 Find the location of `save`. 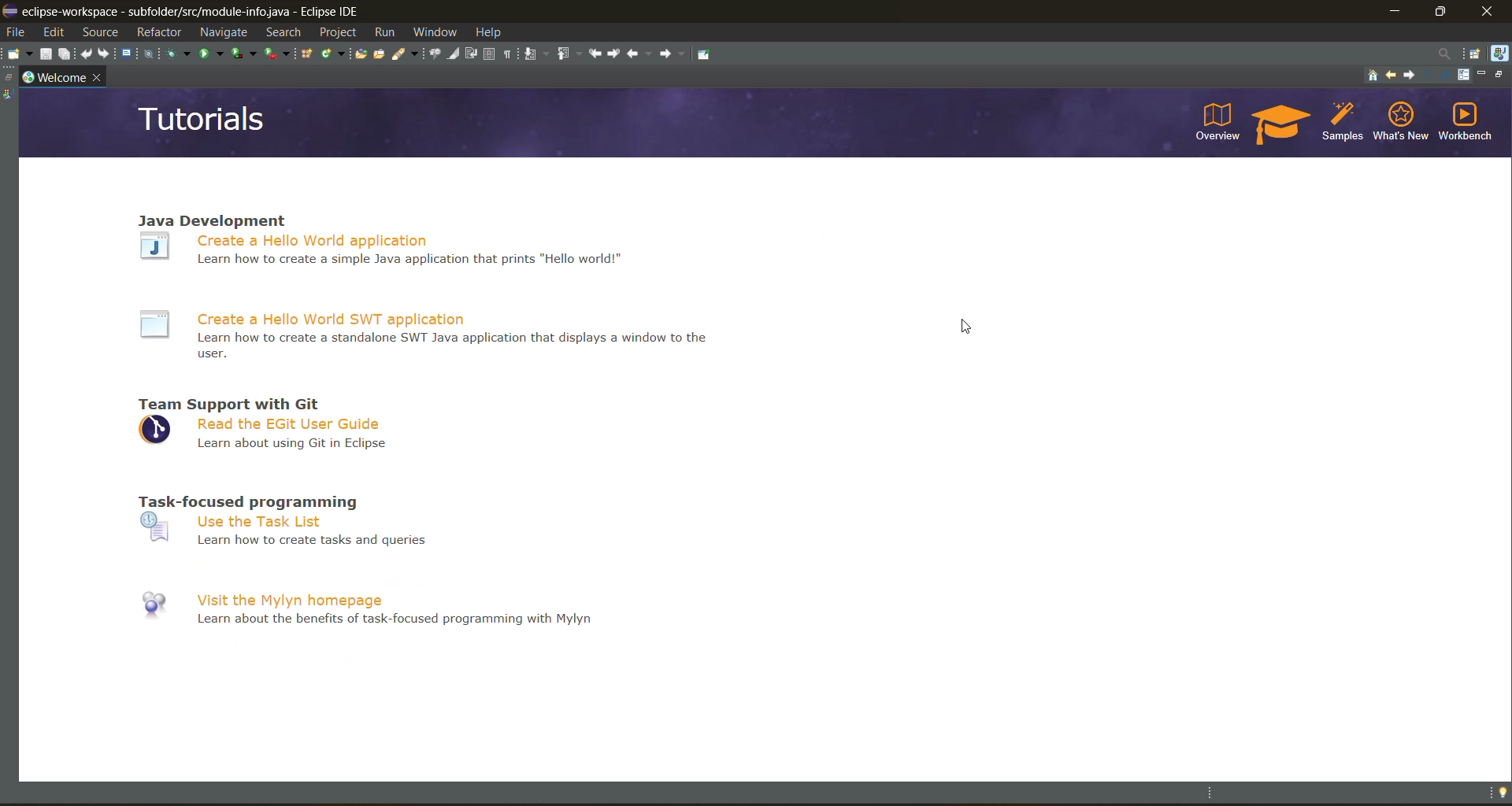

save is located at coordinates (47, 54).